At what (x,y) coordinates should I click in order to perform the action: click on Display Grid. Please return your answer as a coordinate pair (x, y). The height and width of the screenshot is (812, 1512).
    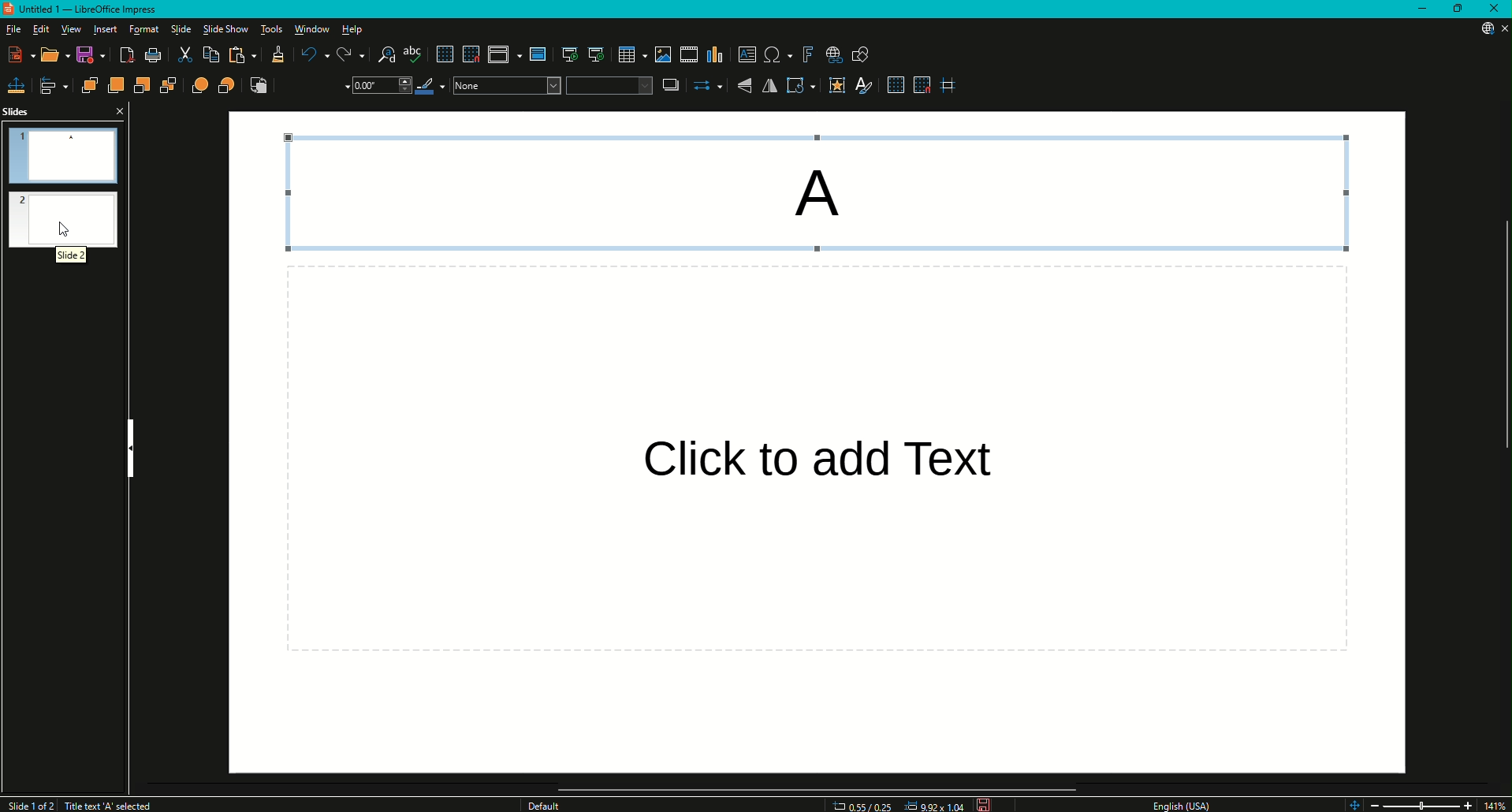
    Looking at the image, I should click on (893, 86).